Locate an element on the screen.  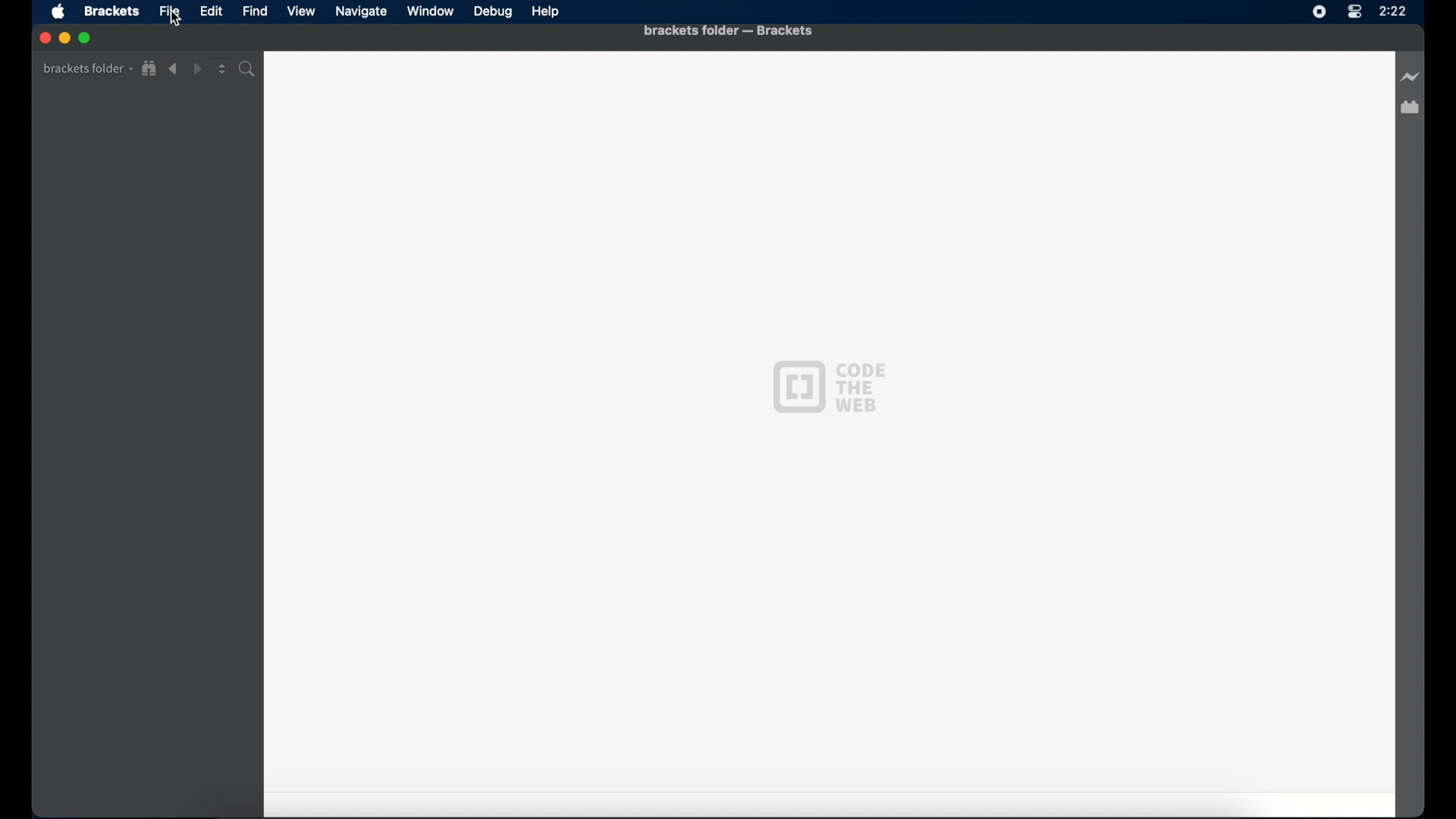
brackets is located at coordinates (111, 12).